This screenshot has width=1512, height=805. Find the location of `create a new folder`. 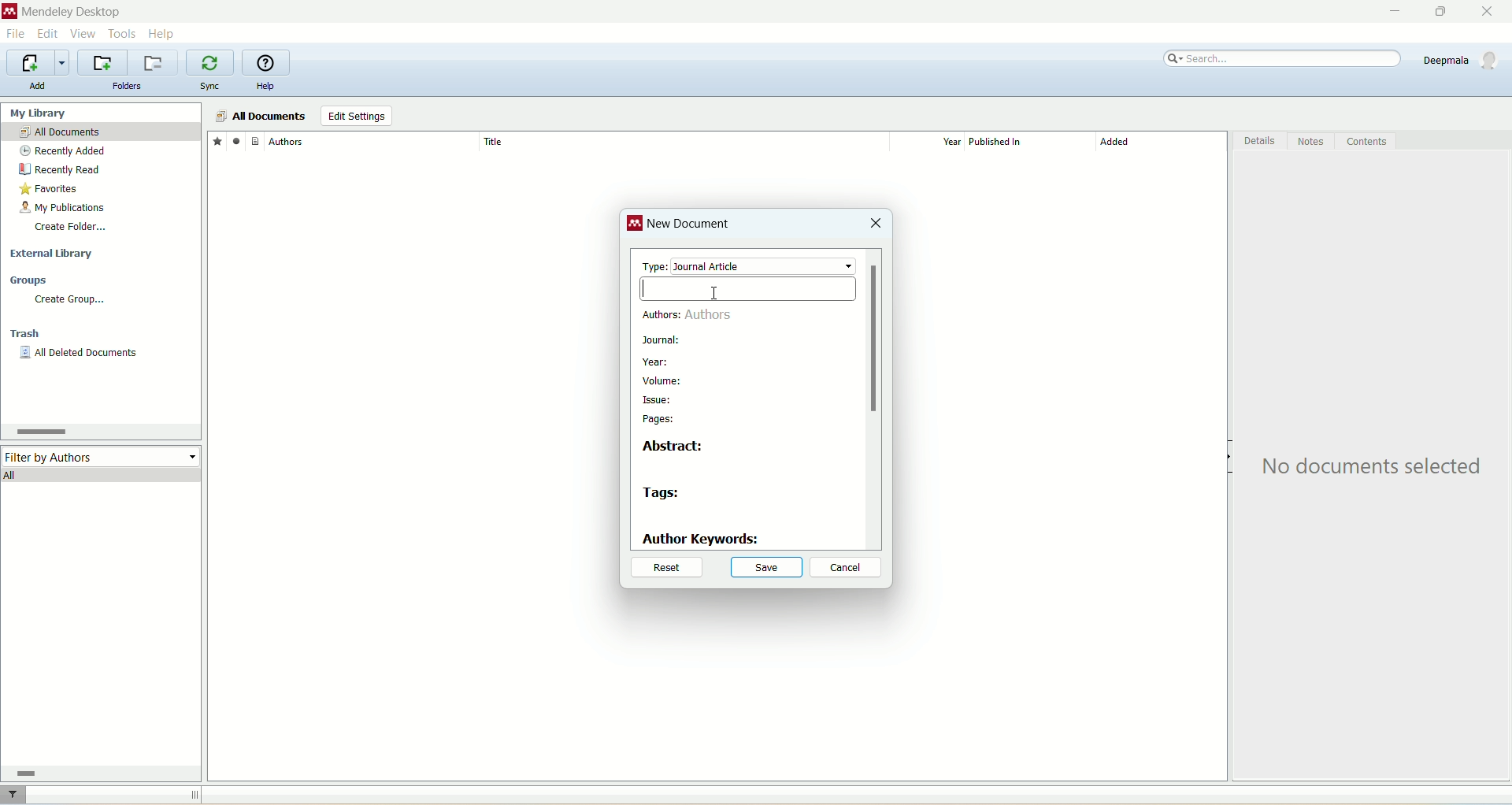

create a new folder is located at coordinates (102, 63).